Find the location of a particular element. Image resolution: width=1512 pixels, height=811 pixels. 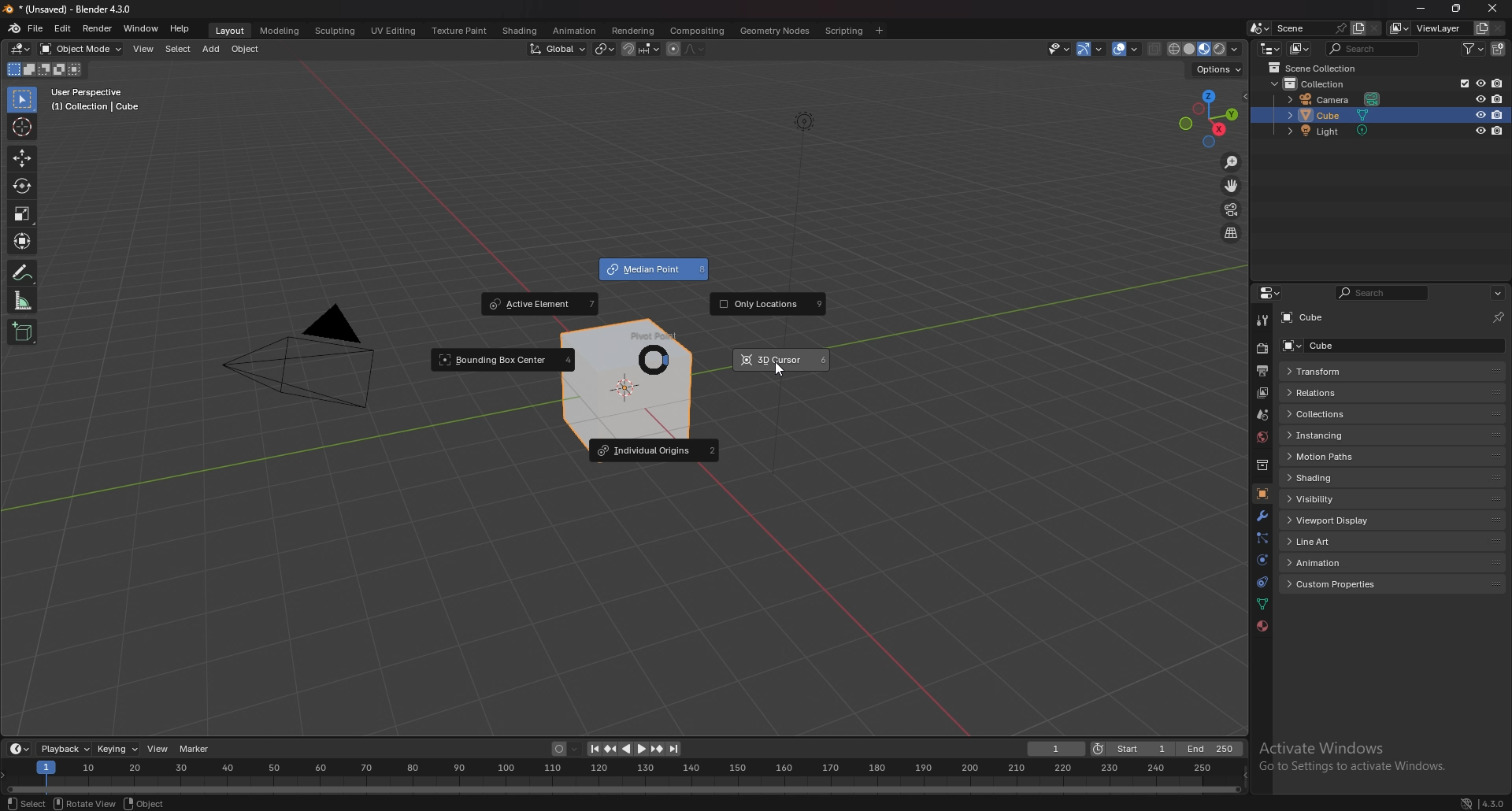

overlays is located at coordinates (1125, 50).